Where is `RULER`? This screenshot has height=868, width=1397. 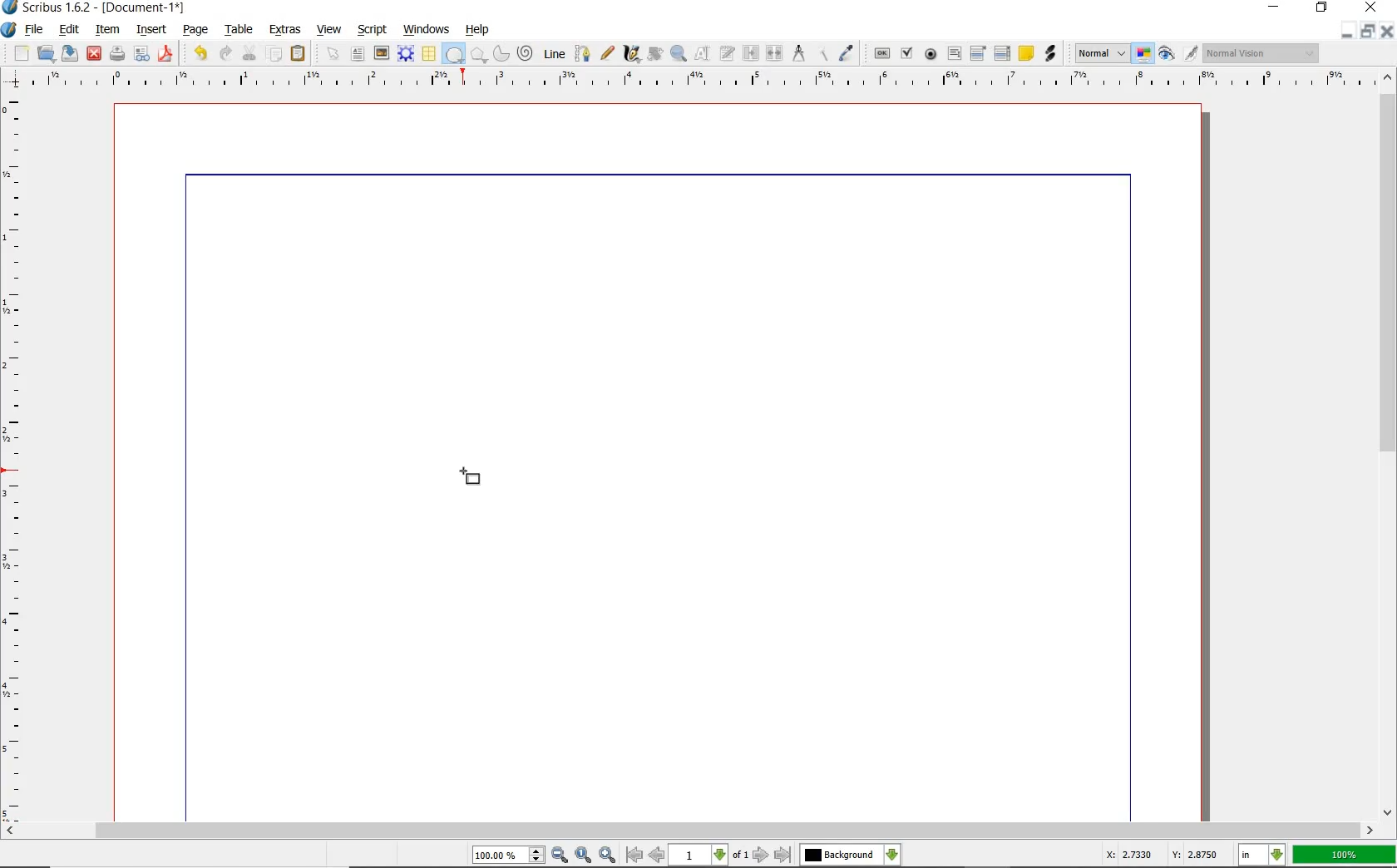 RULER is located at coordinates (14, 461).